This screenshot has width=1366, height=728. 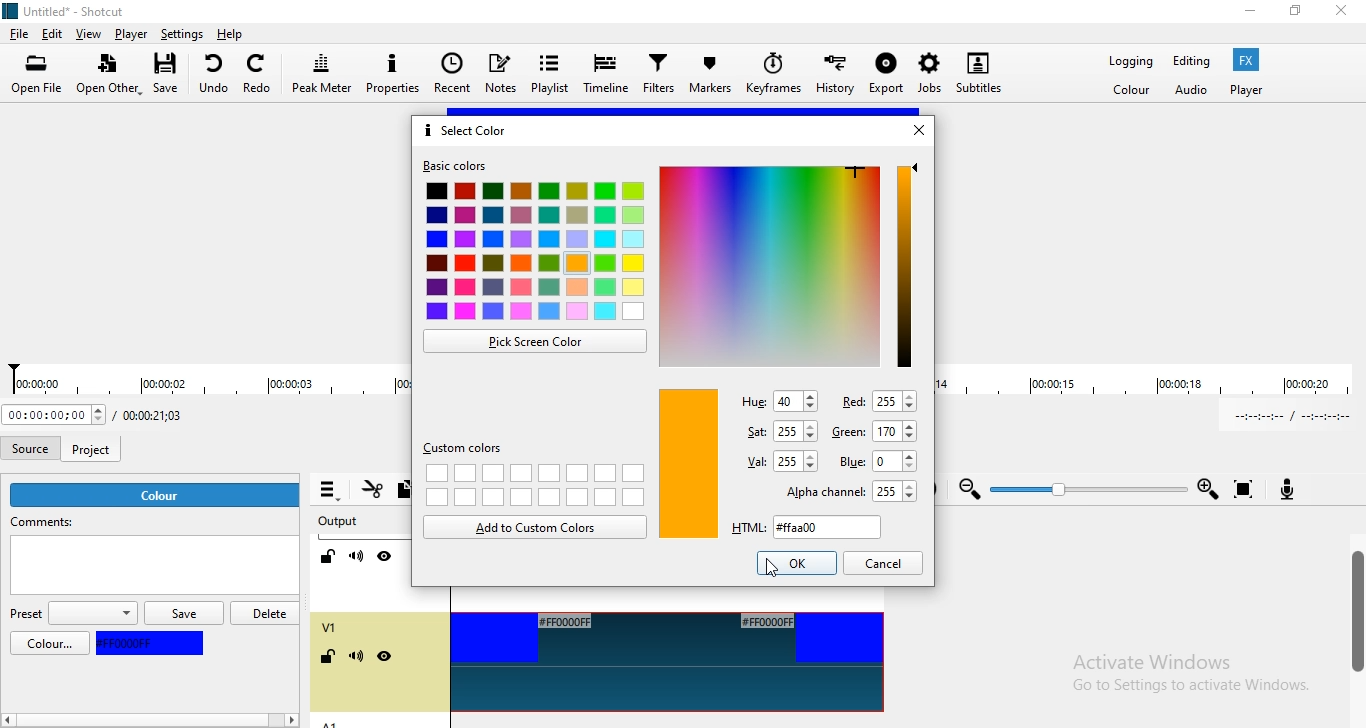 I want to click on Playlist, so click(x=549, y=72).